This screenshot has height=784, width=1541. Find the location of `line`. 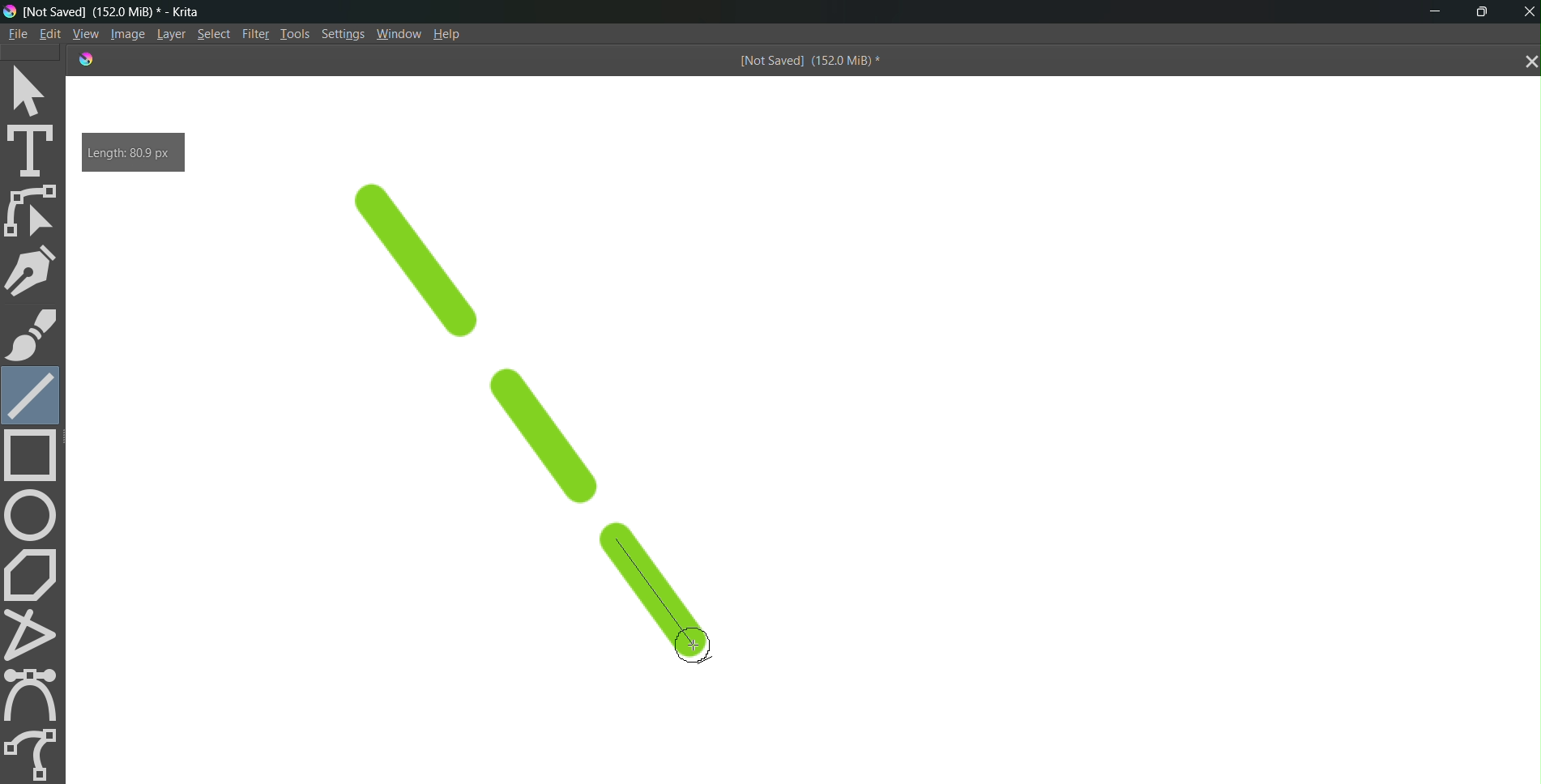

line is located at coordinates (561, 439).